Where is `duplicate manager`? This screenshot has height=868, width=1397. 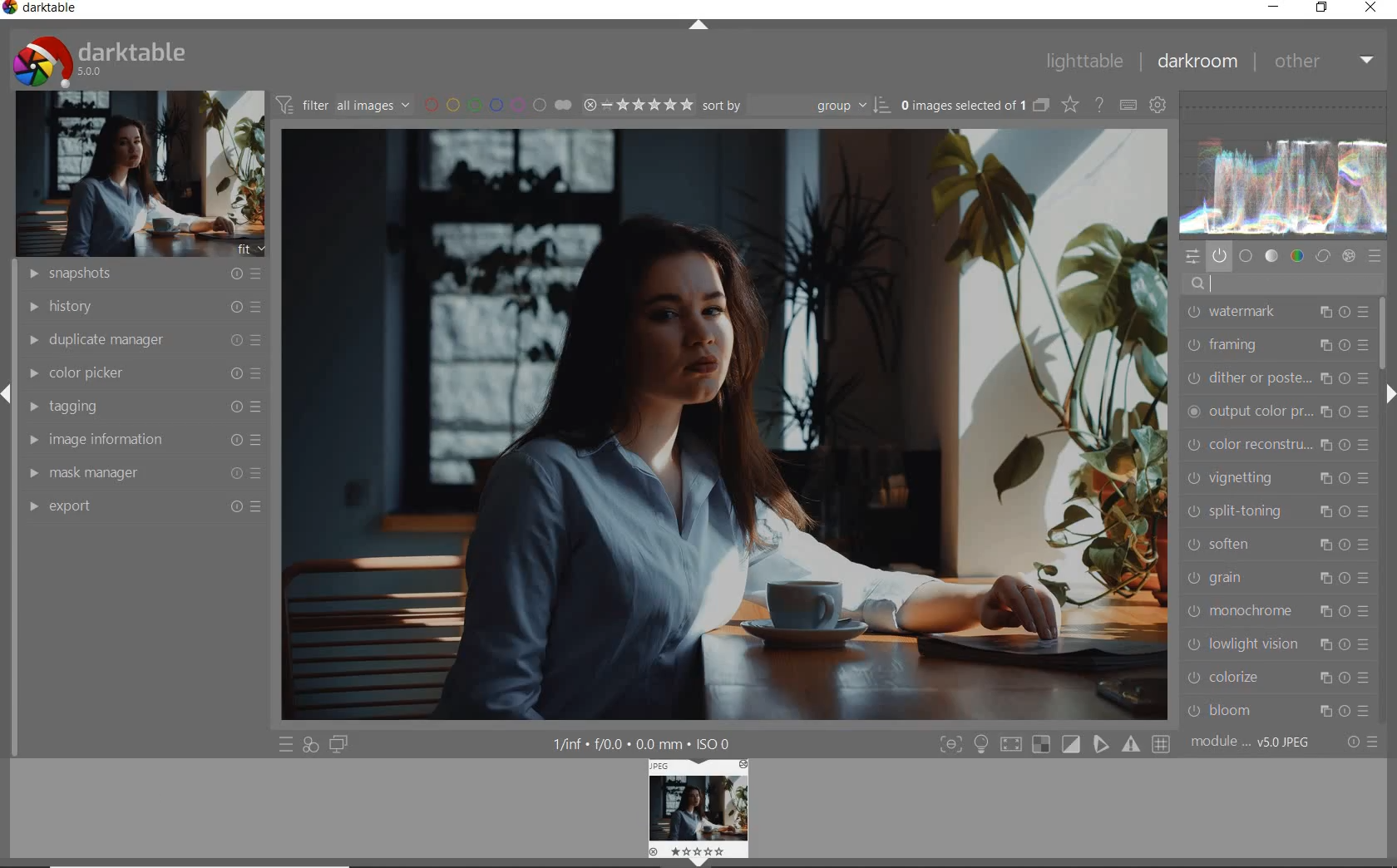 duplicate manager is located at coordinates (141, 340).